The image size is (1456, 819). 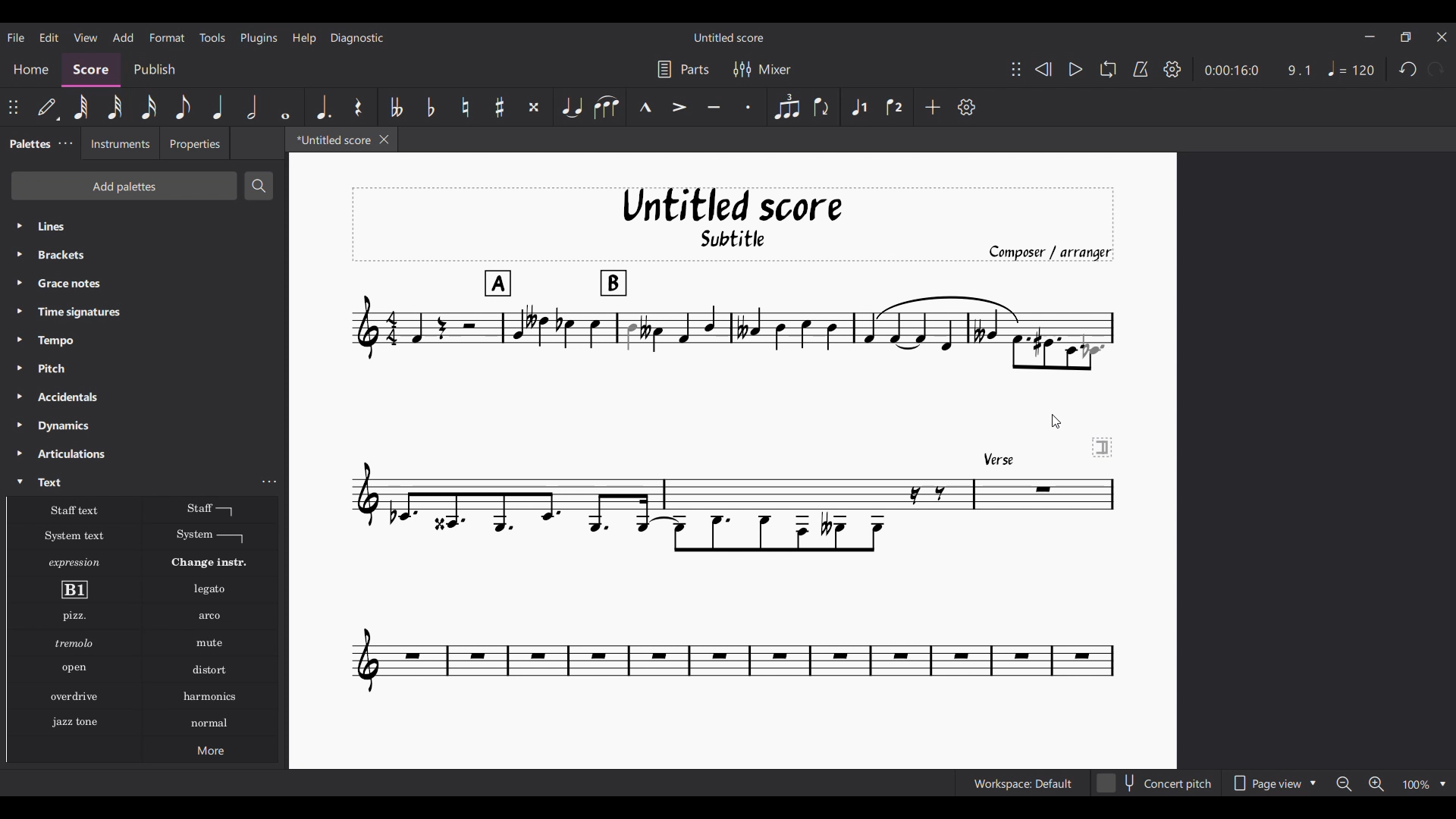 What do you see at coordinates (218, 106) in the screenshot?
I see `Quarter note` at bounding box center [218, 106].